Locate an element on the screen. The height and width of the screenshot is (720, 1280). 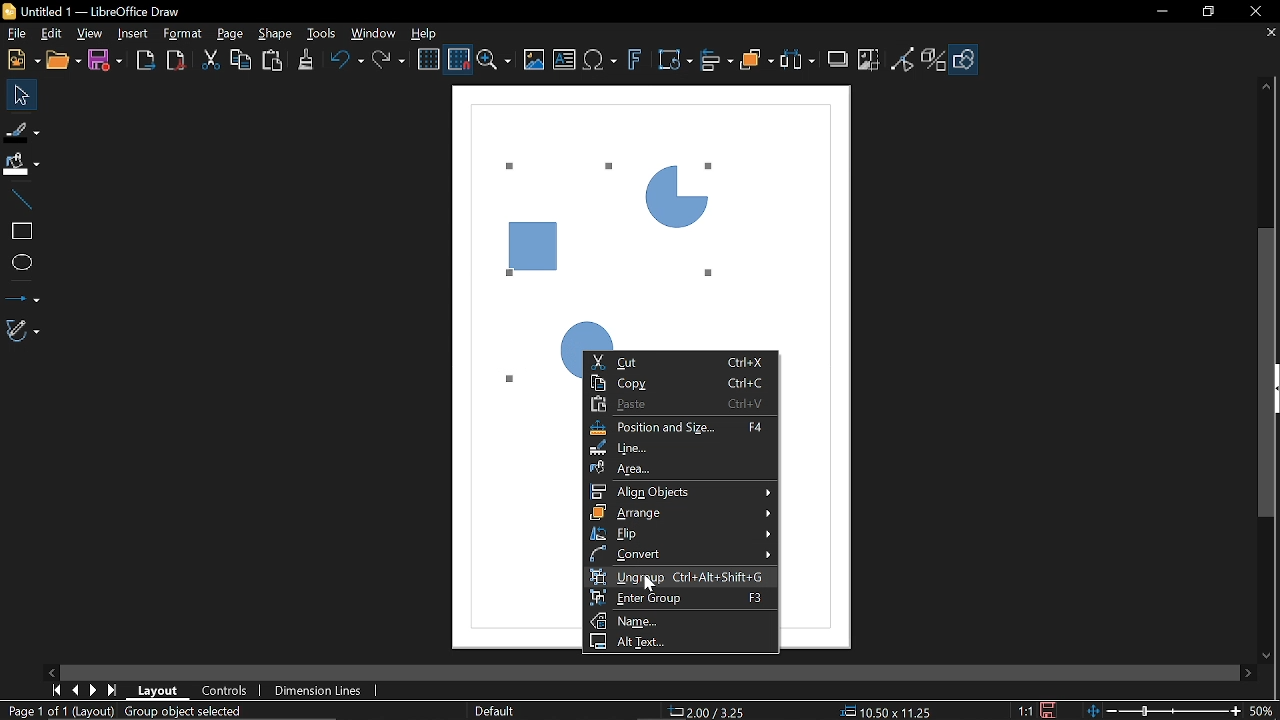
Flip is located at coordinates (680, 532).